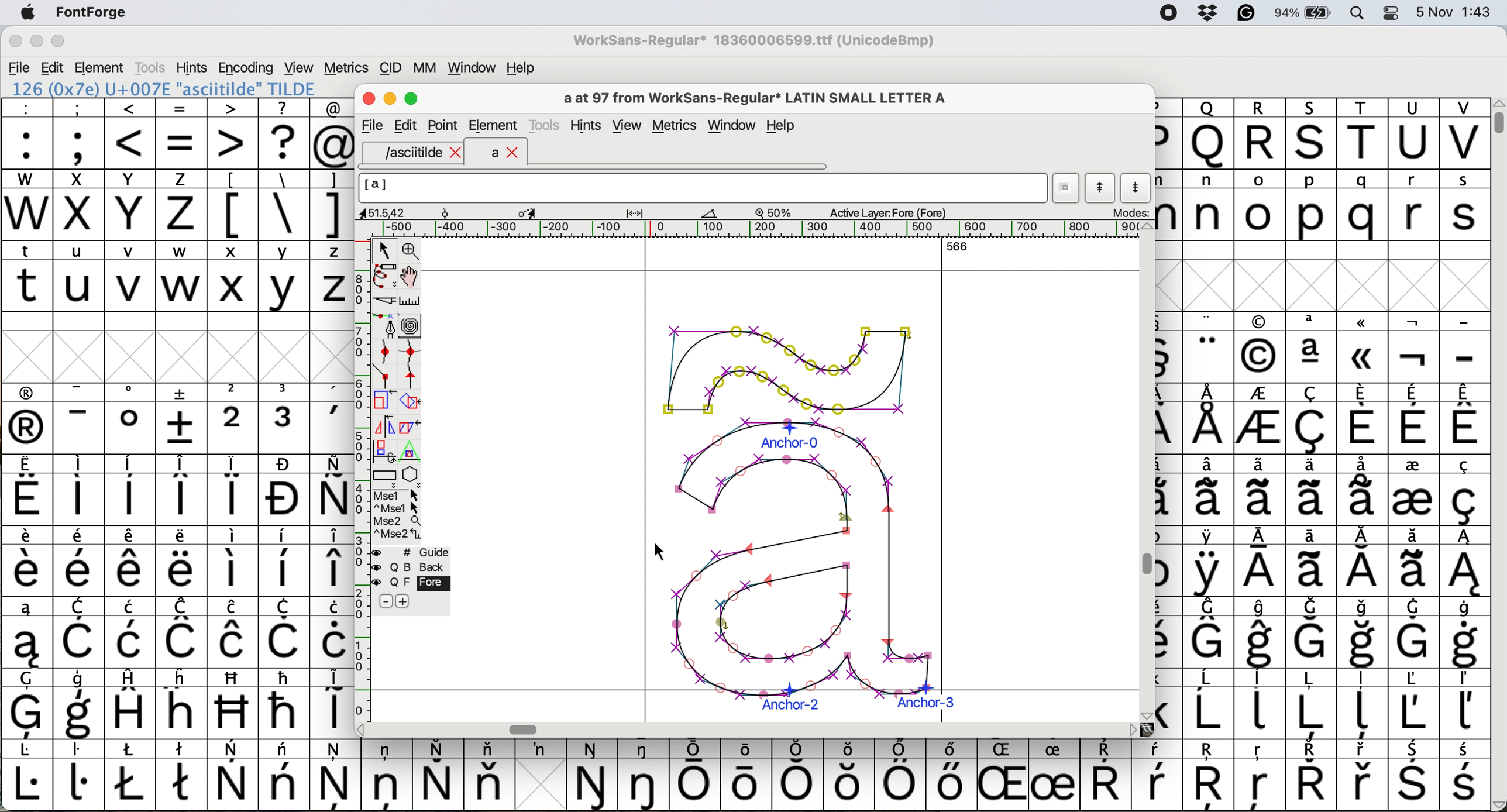  What do you see at coordinates (387, 773) in the screenshot?
I see `symbol` at bounding box center [387, 773].